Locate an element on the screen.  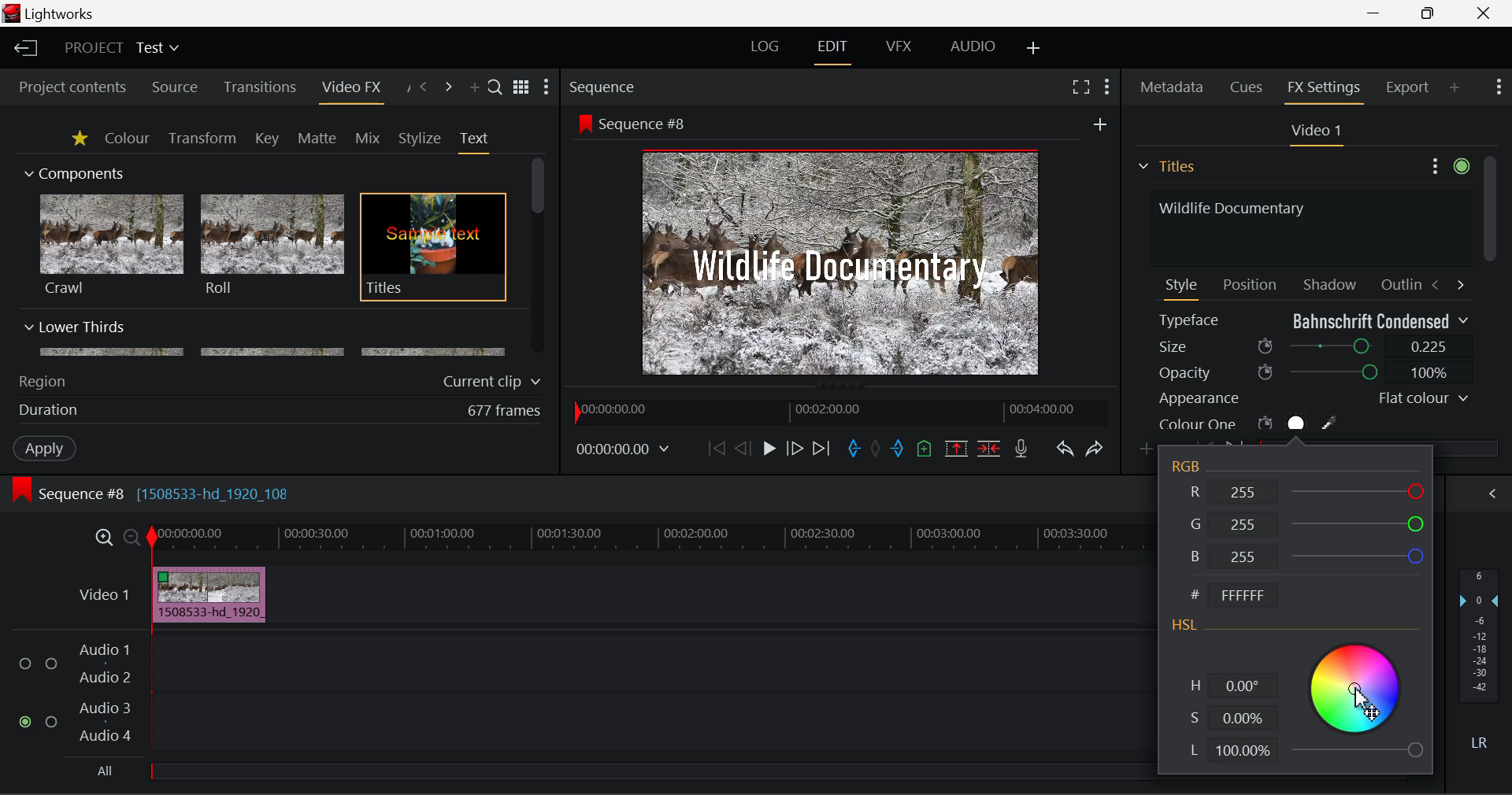
To End is located at coordinates (822, 451).